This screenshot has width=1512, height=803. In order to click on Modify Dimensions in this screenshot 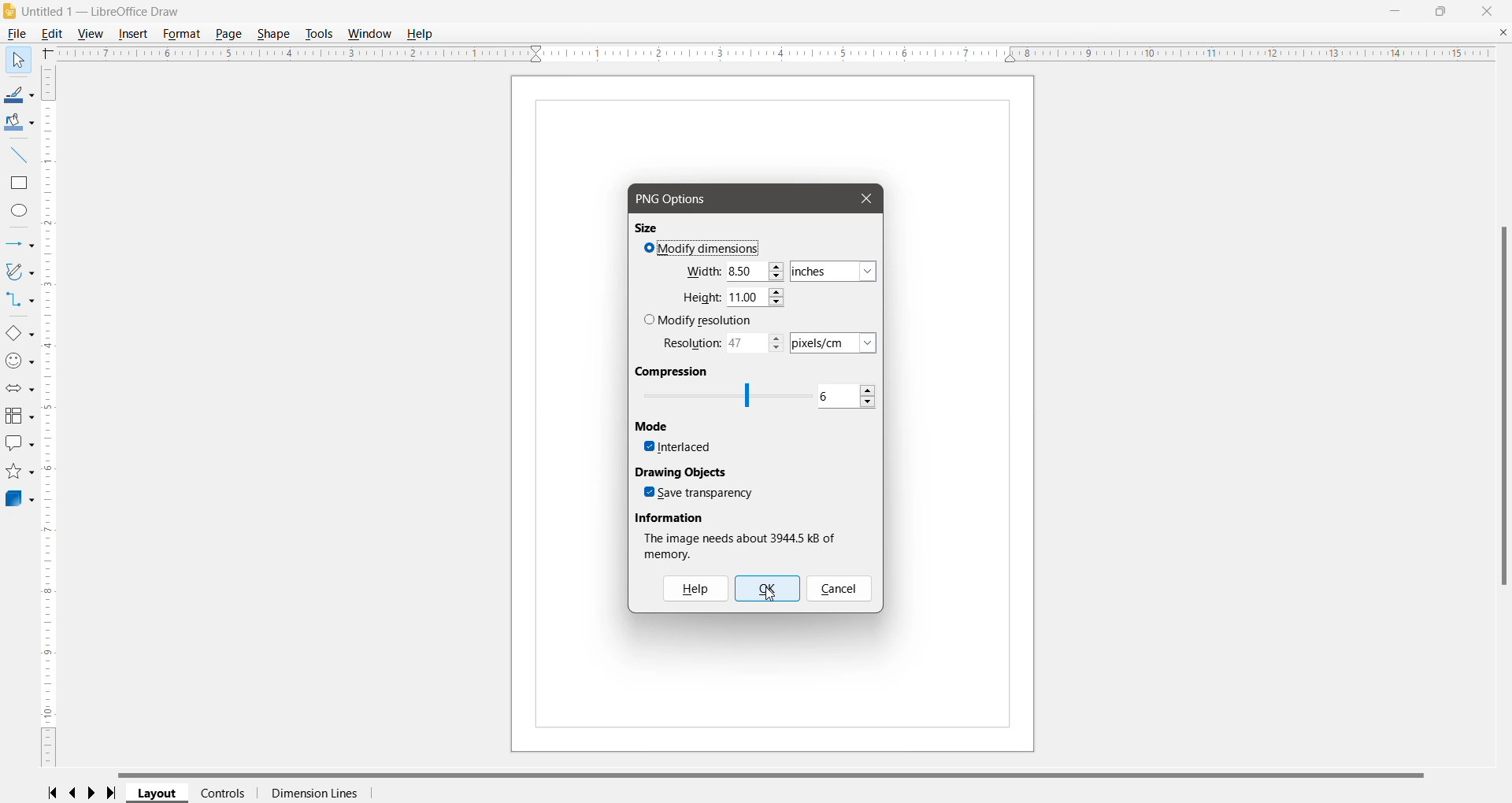, I will do `click(702, 248)`.